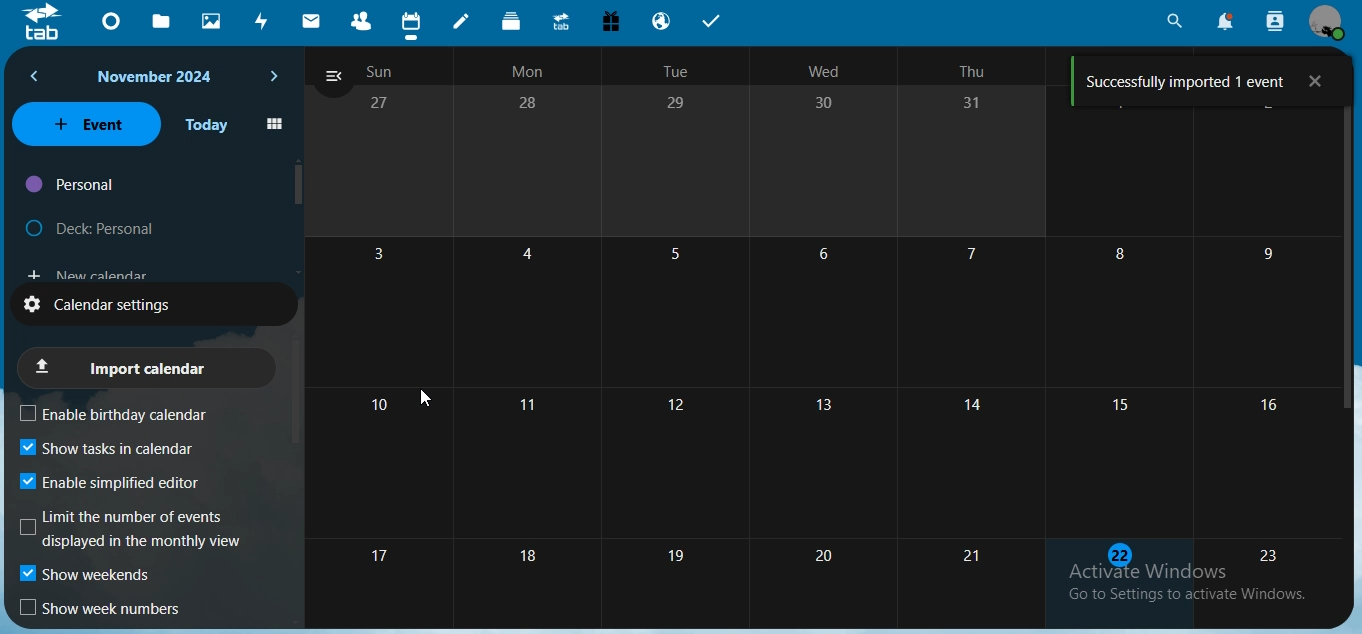 This screenshot has width=1362, height=634. I want to click on today, so click(207, 125).